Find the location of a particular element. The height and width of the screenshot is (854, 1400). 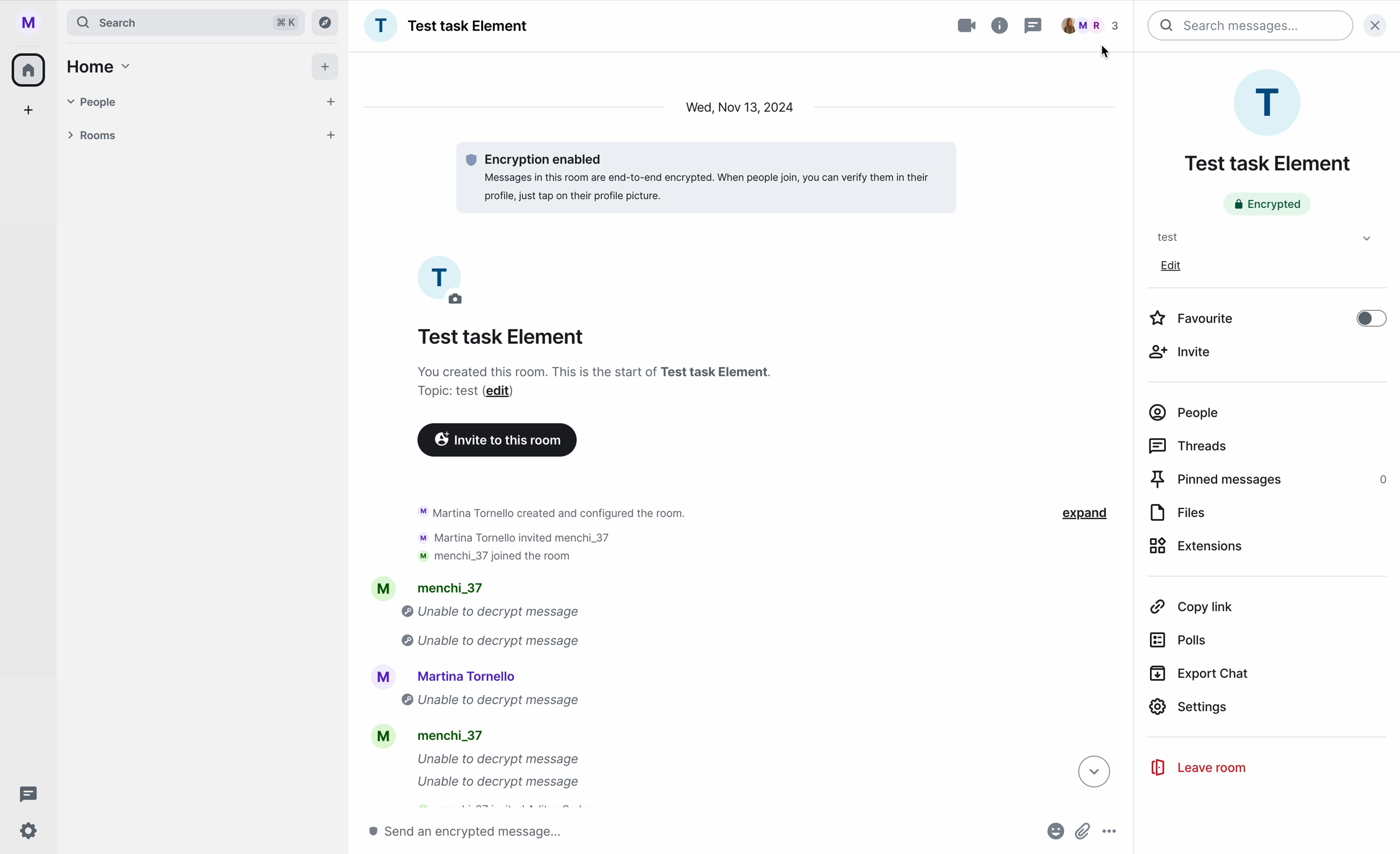

room info is located at coordinates (1001, 26).